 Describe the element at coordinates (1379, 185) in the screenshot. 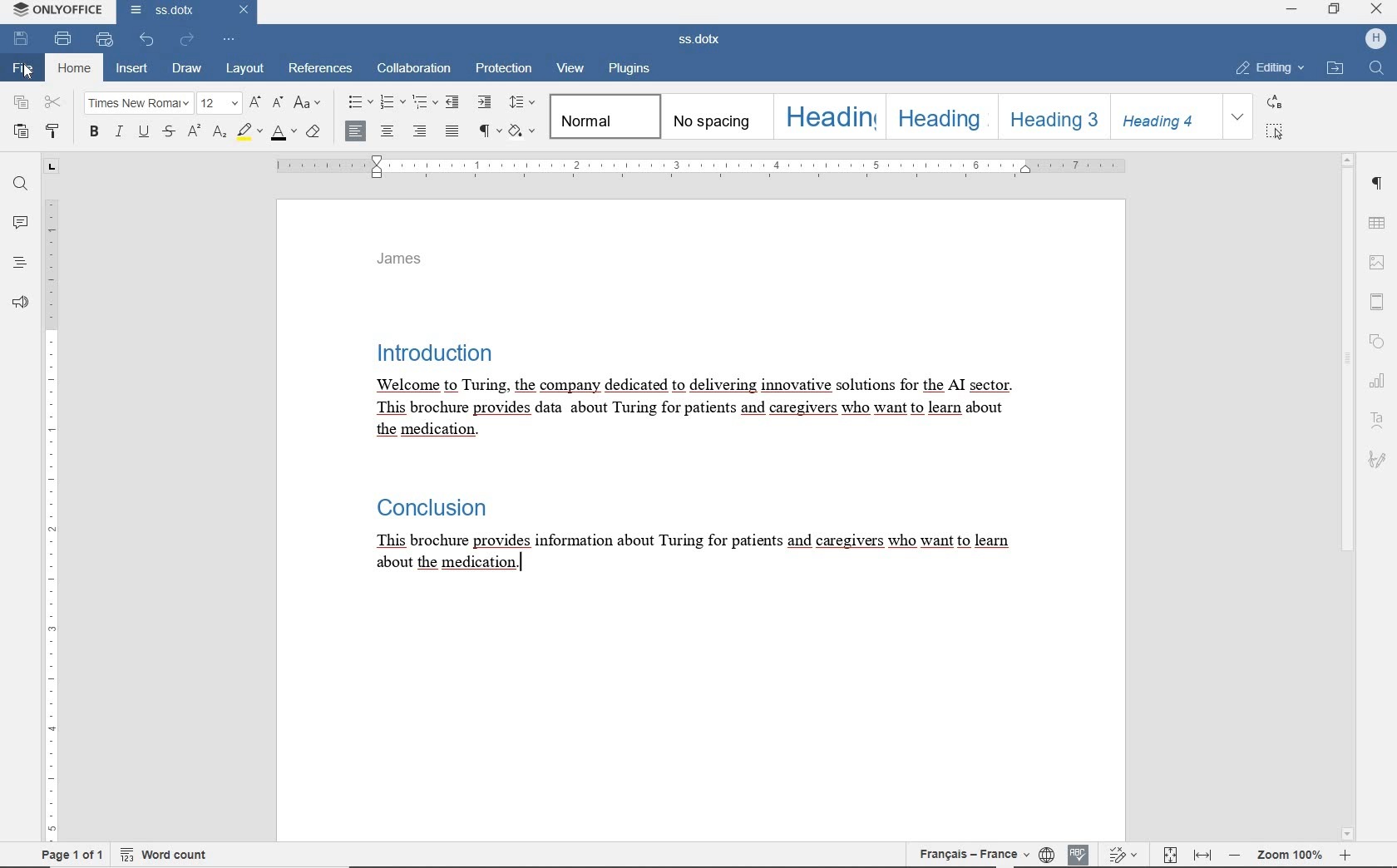

I see `PARAGRAPH SETTINGS` at that location.